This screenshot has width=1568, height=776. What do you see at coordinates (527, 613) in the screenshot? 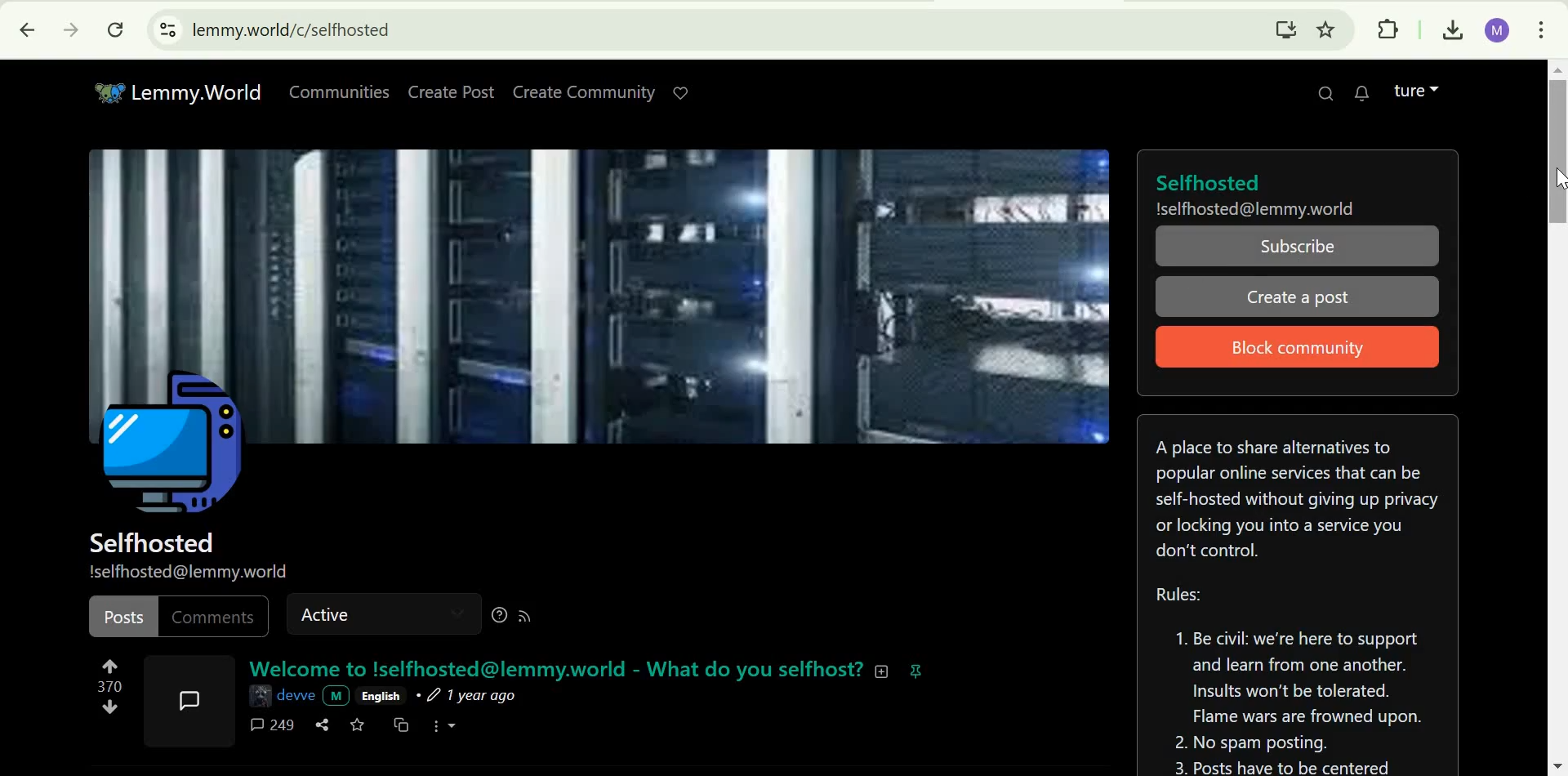
I see `RSS` at bounding box center [527, 613].